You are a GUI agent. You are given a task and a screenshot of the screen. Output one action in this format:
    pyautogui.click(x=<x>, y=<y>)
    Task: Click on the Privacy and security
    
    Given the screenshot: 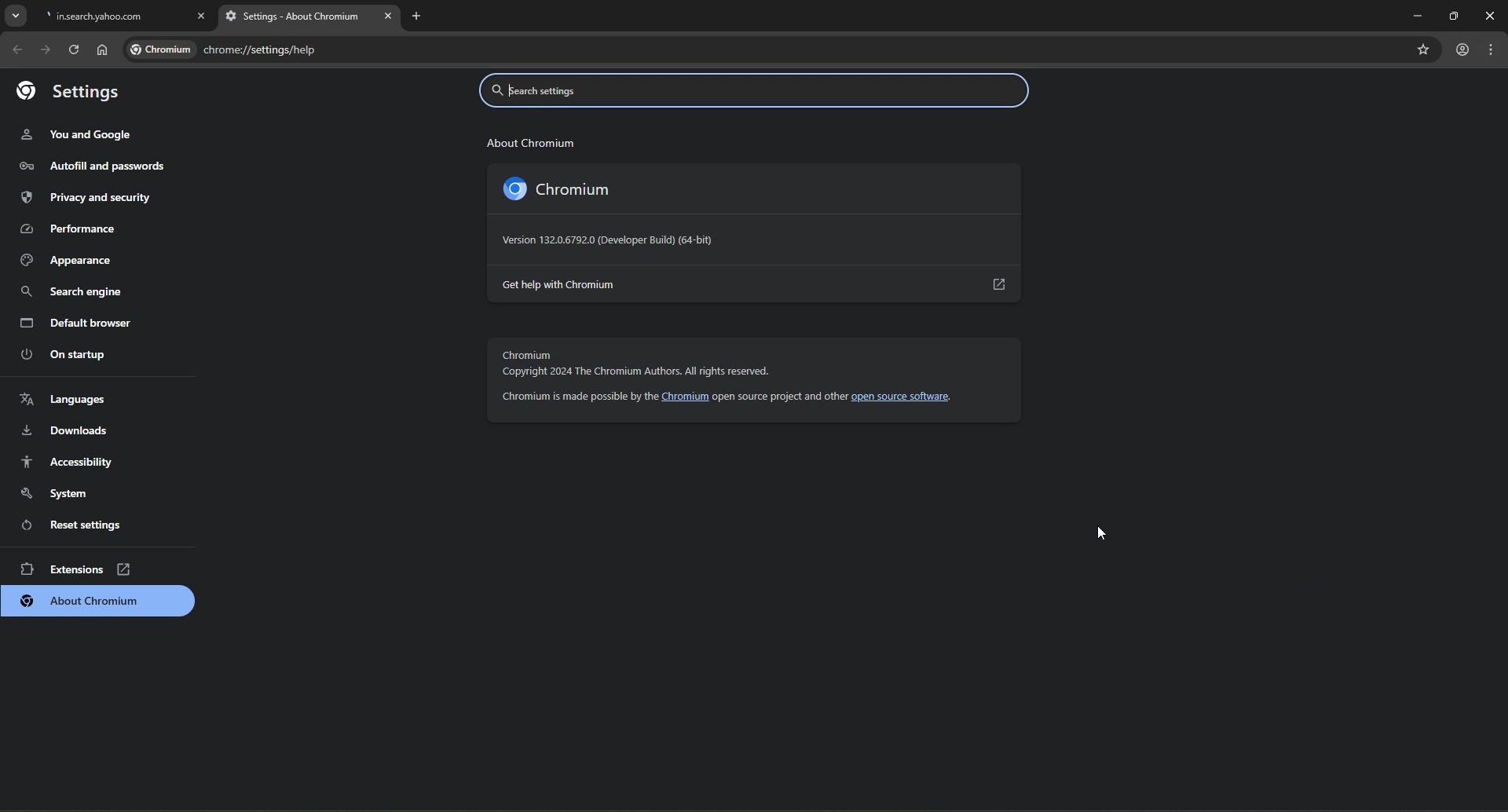 What is the action you would take?
    pyautogui.click(x=92, y=197)
    